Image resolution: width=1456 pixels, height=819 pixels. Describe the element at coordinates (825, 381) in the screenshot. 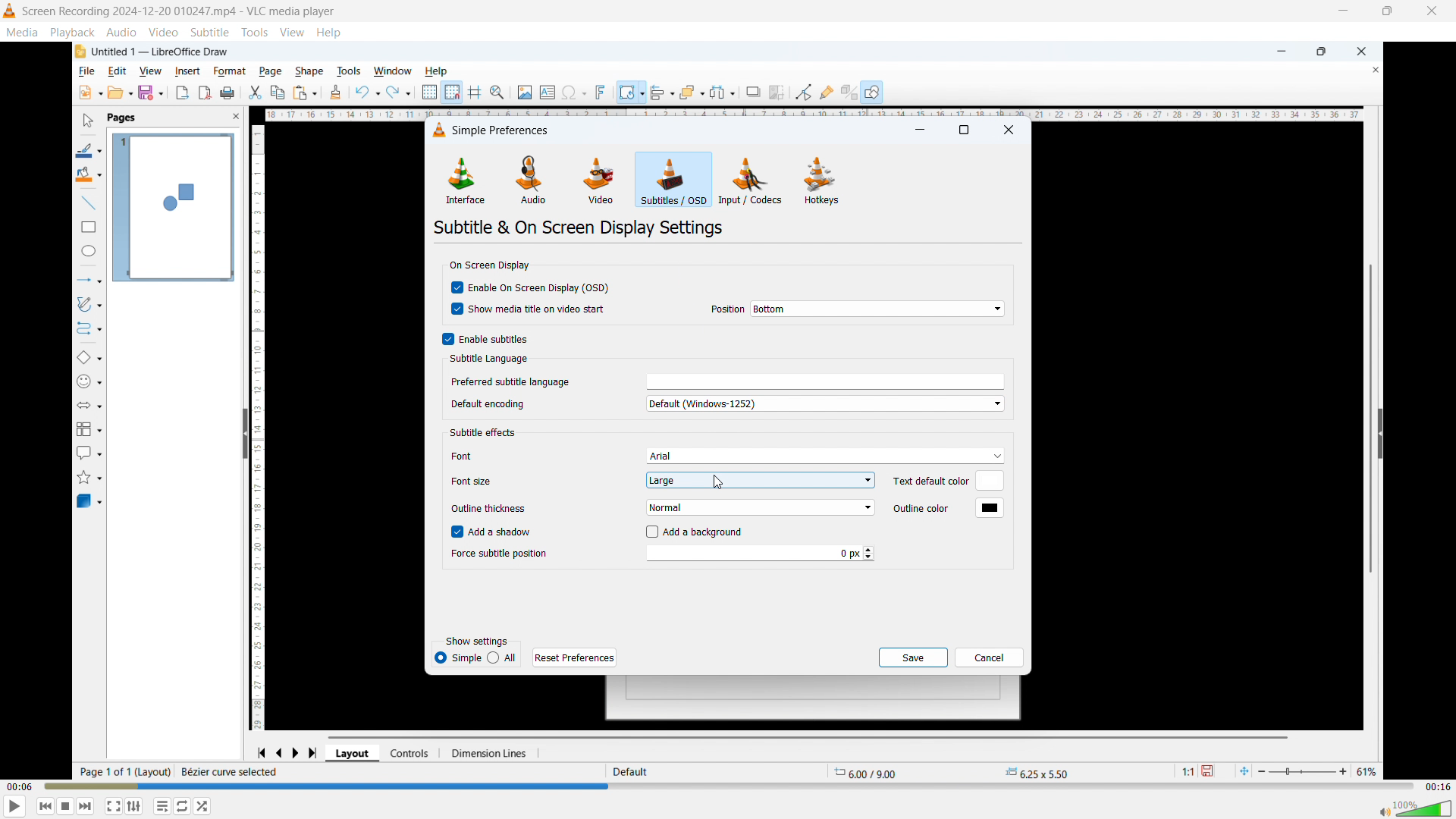

I see `Select preferred subtitle language ` at that location.